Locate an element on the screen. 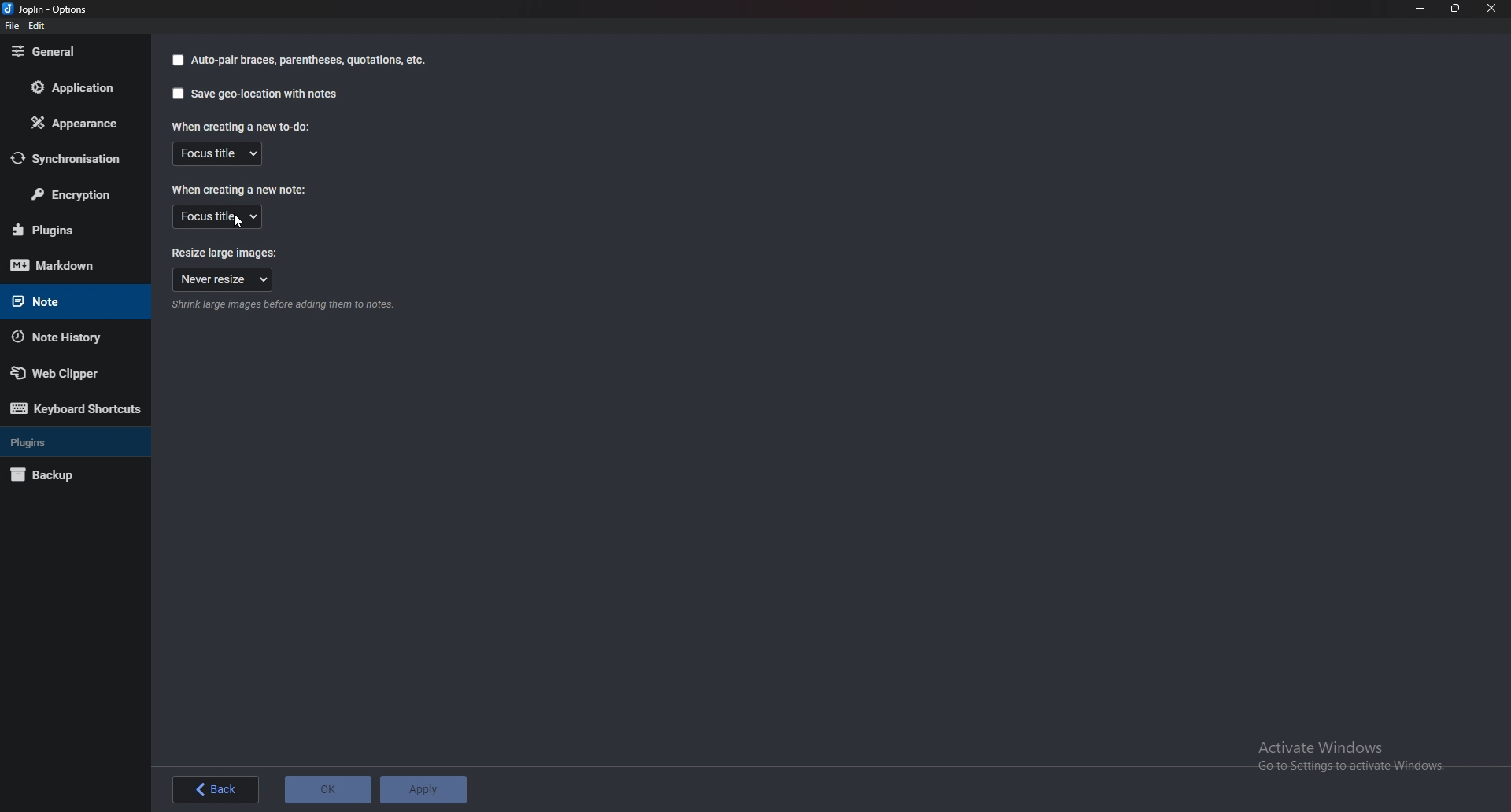 This screenshot has height=812, width=1511. Activate Windows
Go to Settings to activate Windows. is located at coordinates (1353, 755).